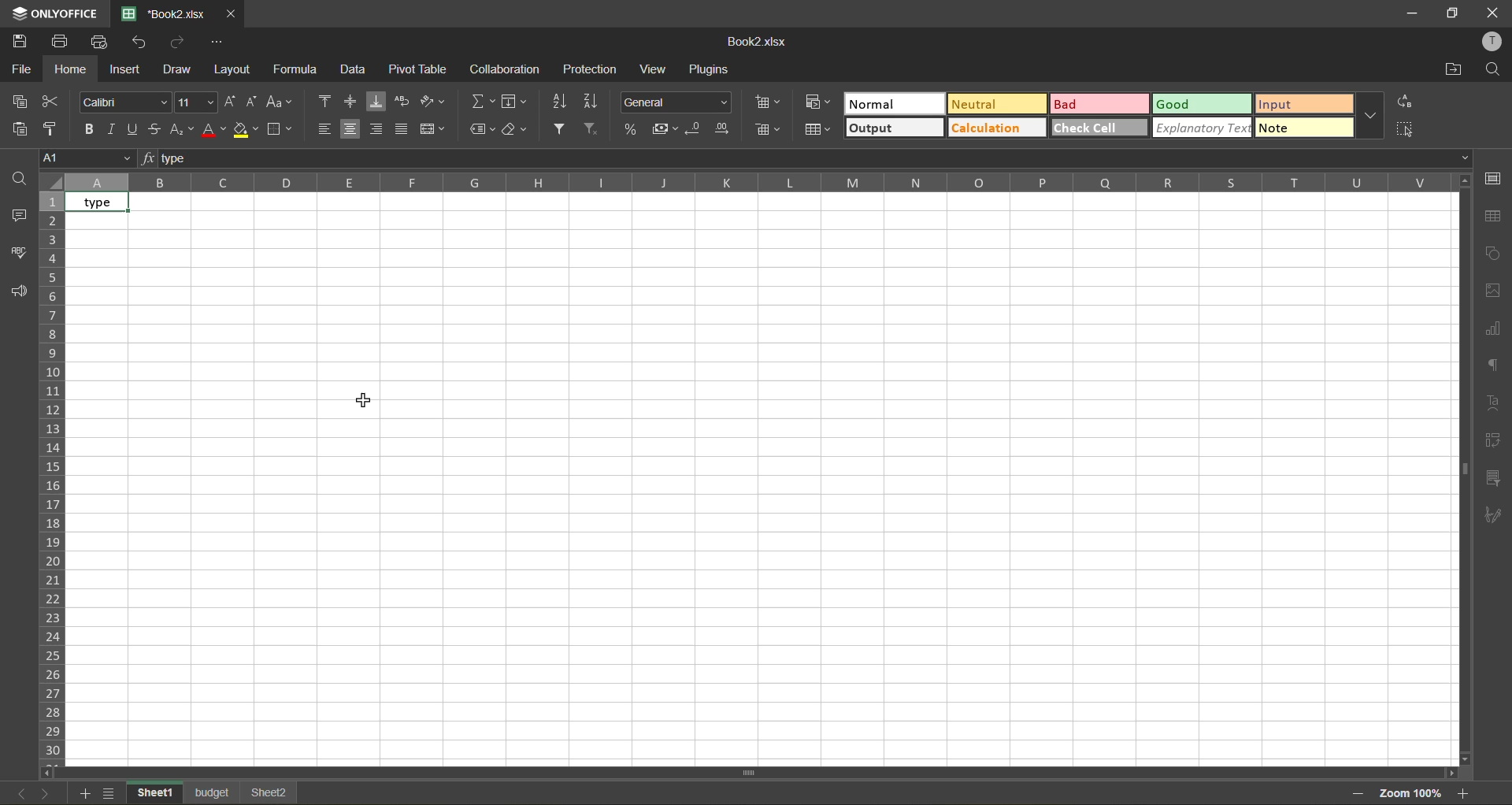 This screenshot has height=805, width=1512. What do you see at coordinates (229, 102) in the screenshot?
I see `increment size` at bounding box center [229, 102].